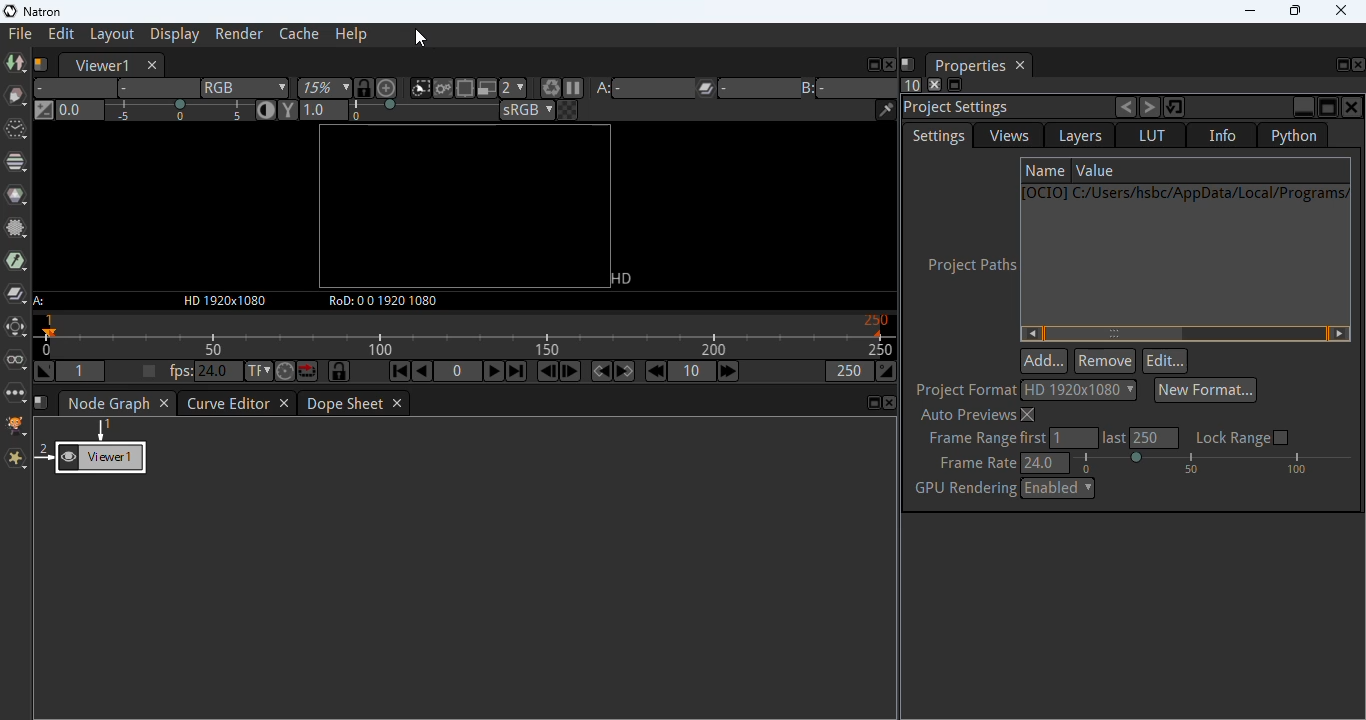 The width and height of the screenshot is (1366, 720). Describe the element at coordinates (1165, 361) in the screenshot. I see `edit` at that location.